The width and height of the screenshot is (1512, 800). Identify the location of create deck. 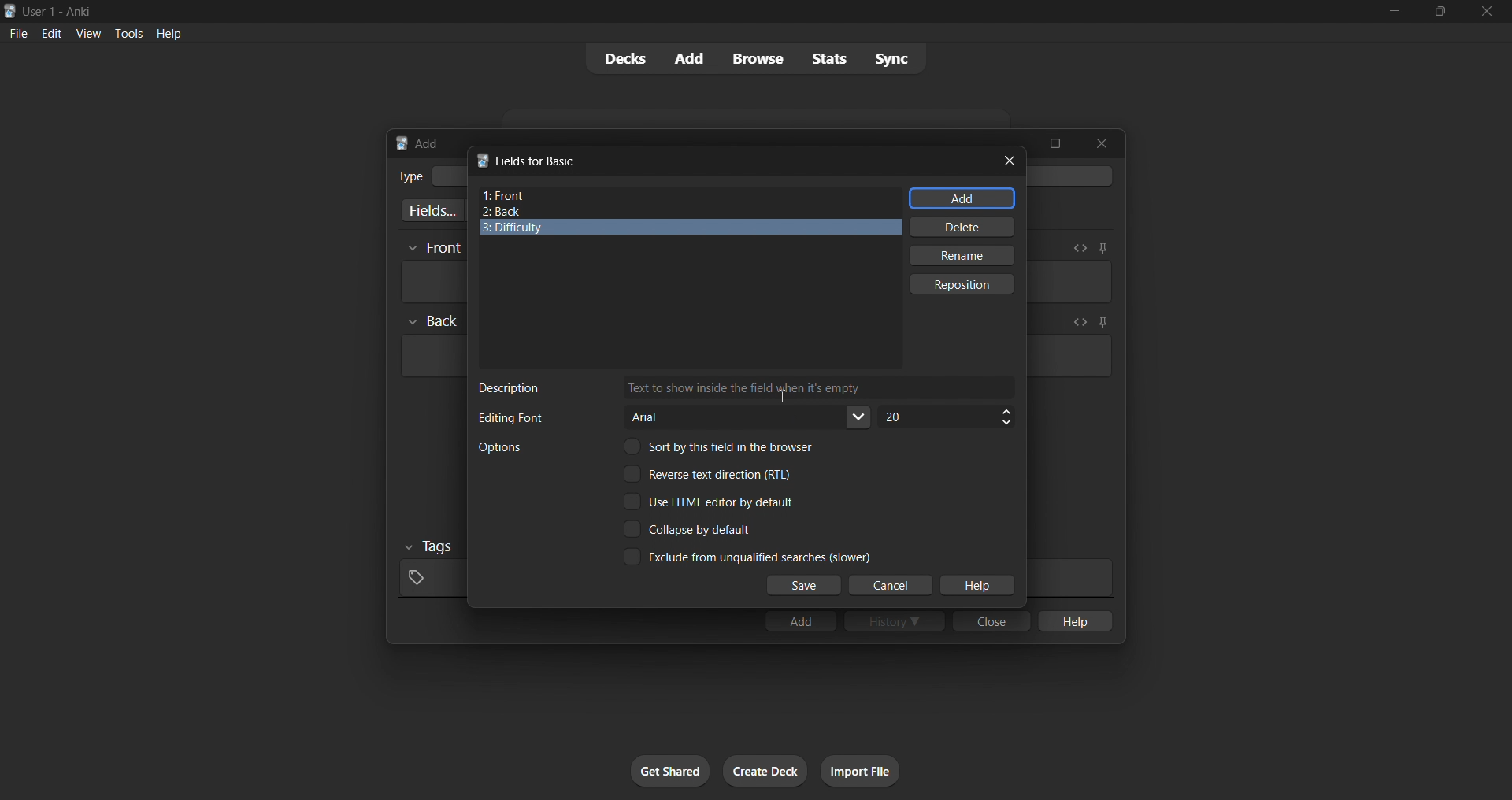
(765, 771).